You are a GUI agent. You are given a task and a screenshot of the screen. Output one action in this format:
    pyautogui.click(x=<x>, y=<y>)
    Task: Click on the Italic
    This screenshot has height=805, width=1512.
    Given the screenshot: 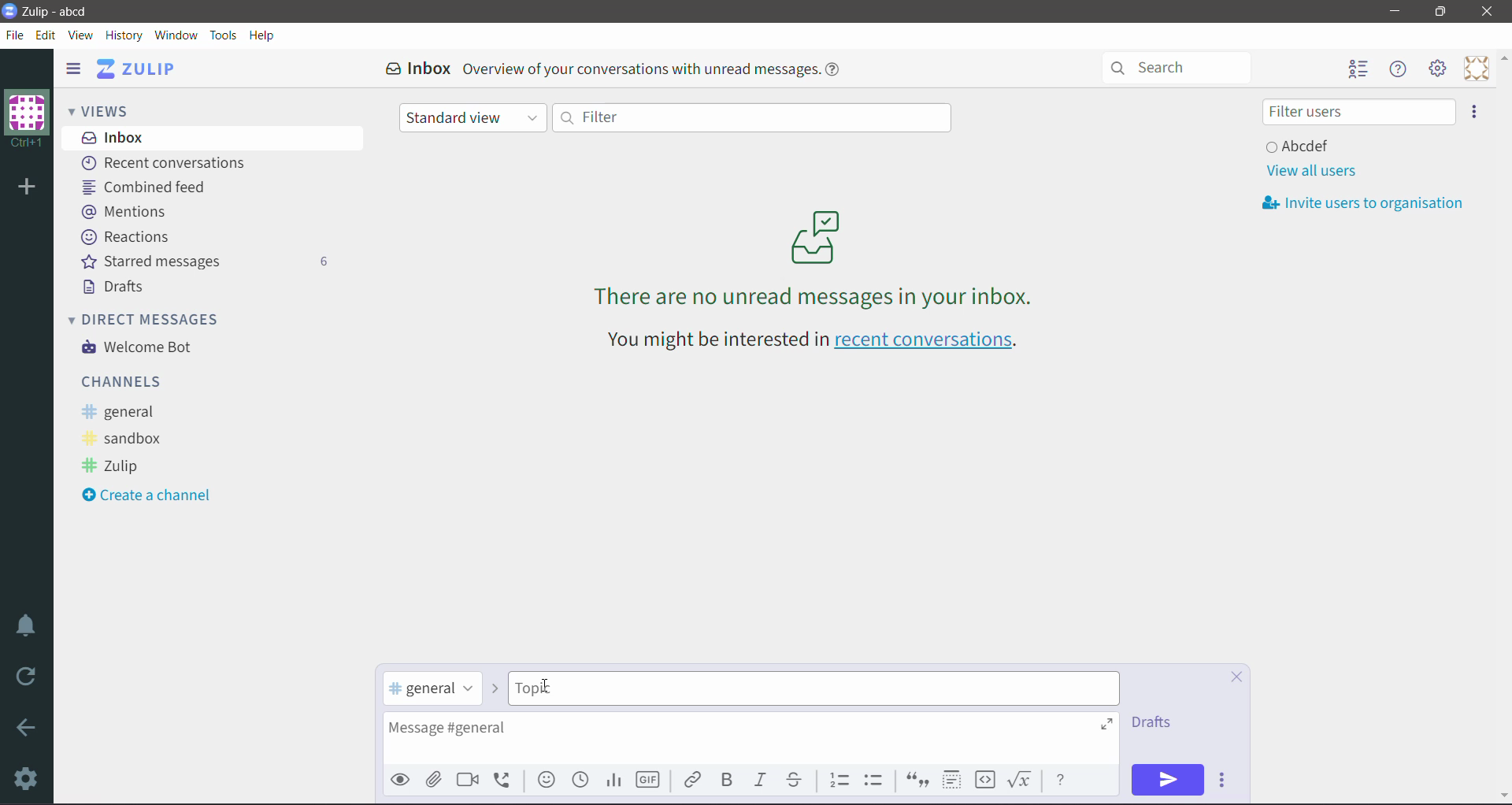 What is the action you would take?
    pyautogui.click(x=759, y=780)
    